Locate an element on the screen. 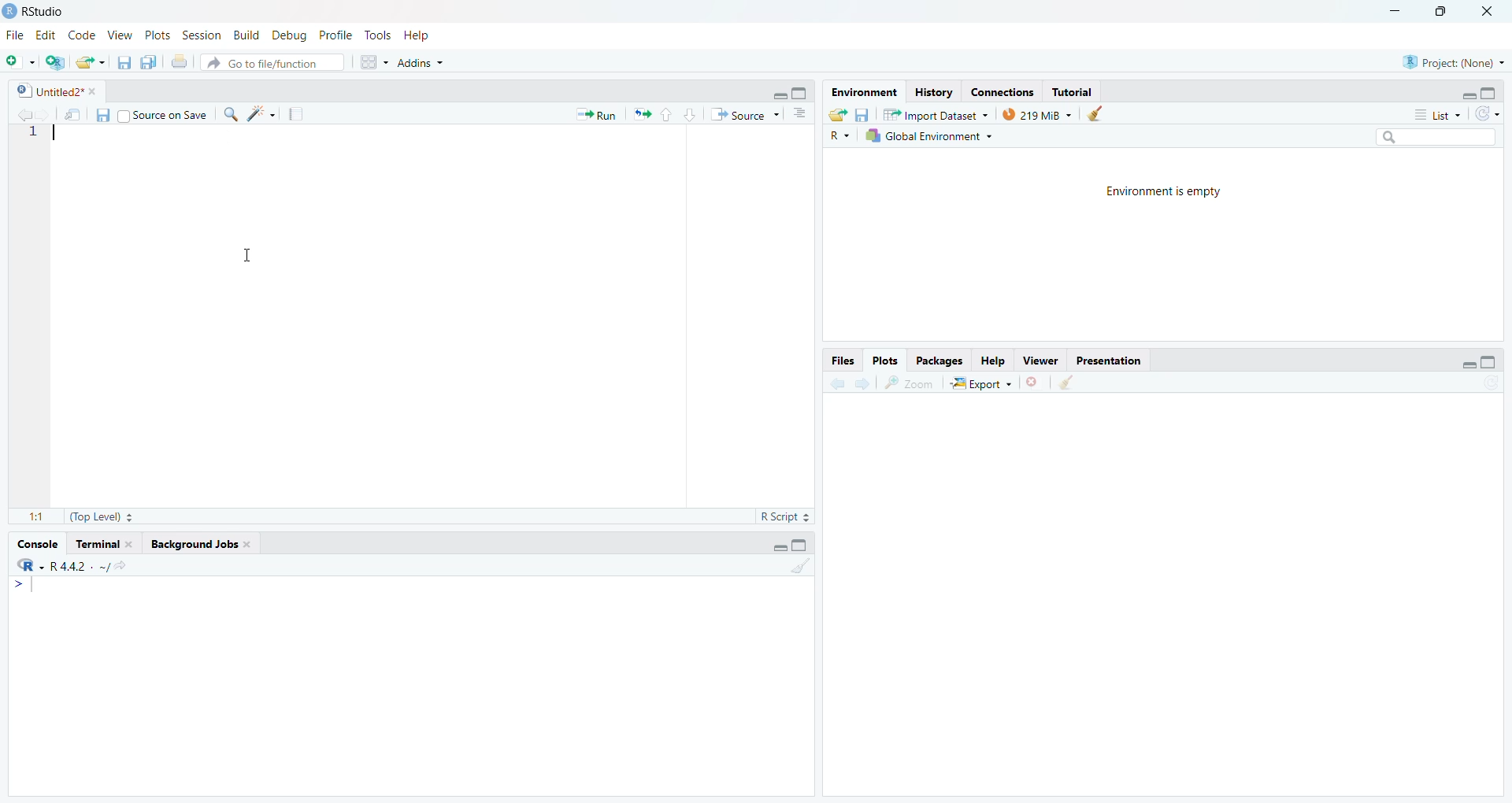  (Top Level) is located at coordinates (101, 517).